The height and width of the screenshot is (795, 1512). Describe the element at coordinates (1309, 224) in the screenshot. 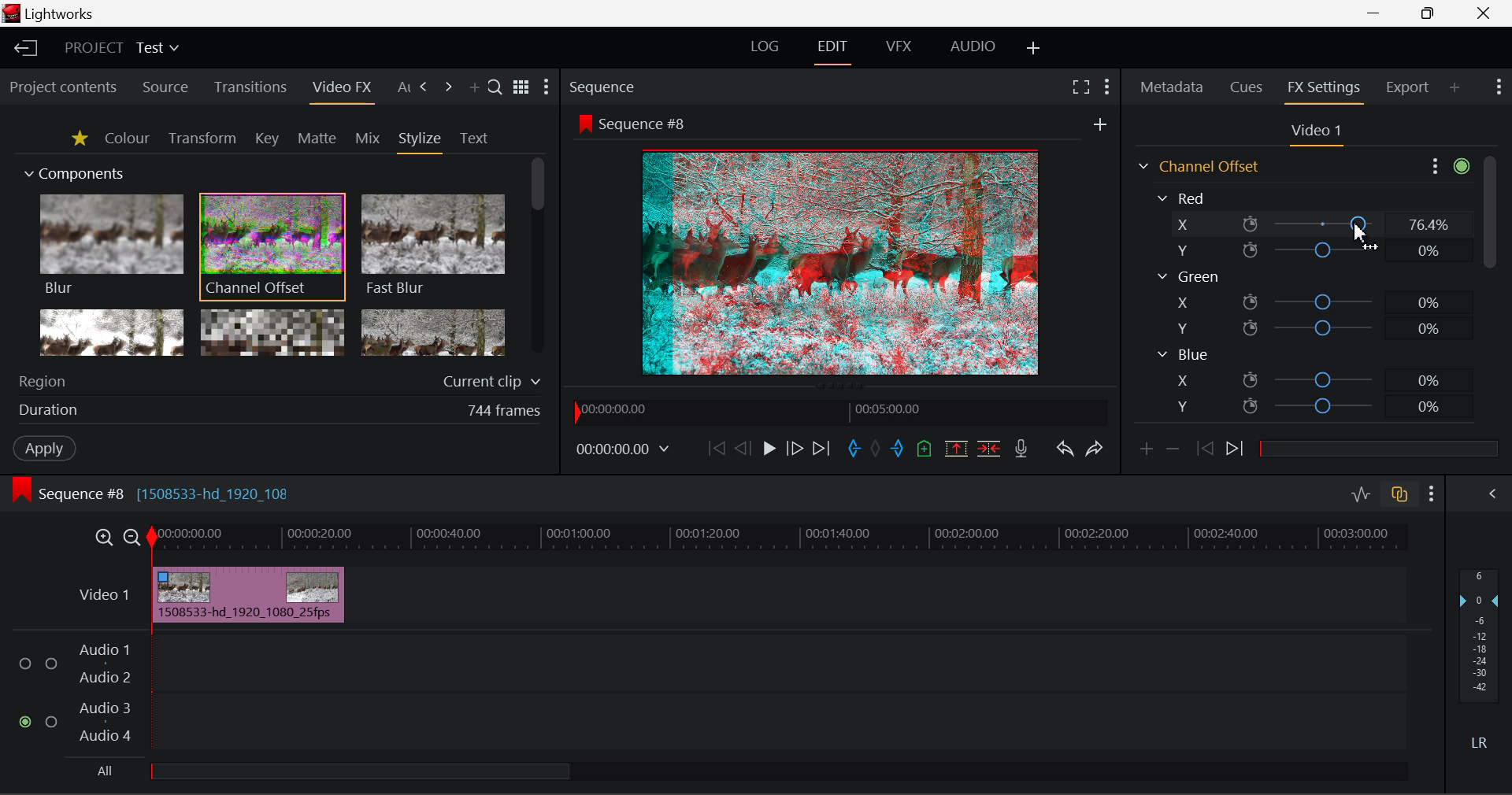

I see `Cursor on Red X` at that location.